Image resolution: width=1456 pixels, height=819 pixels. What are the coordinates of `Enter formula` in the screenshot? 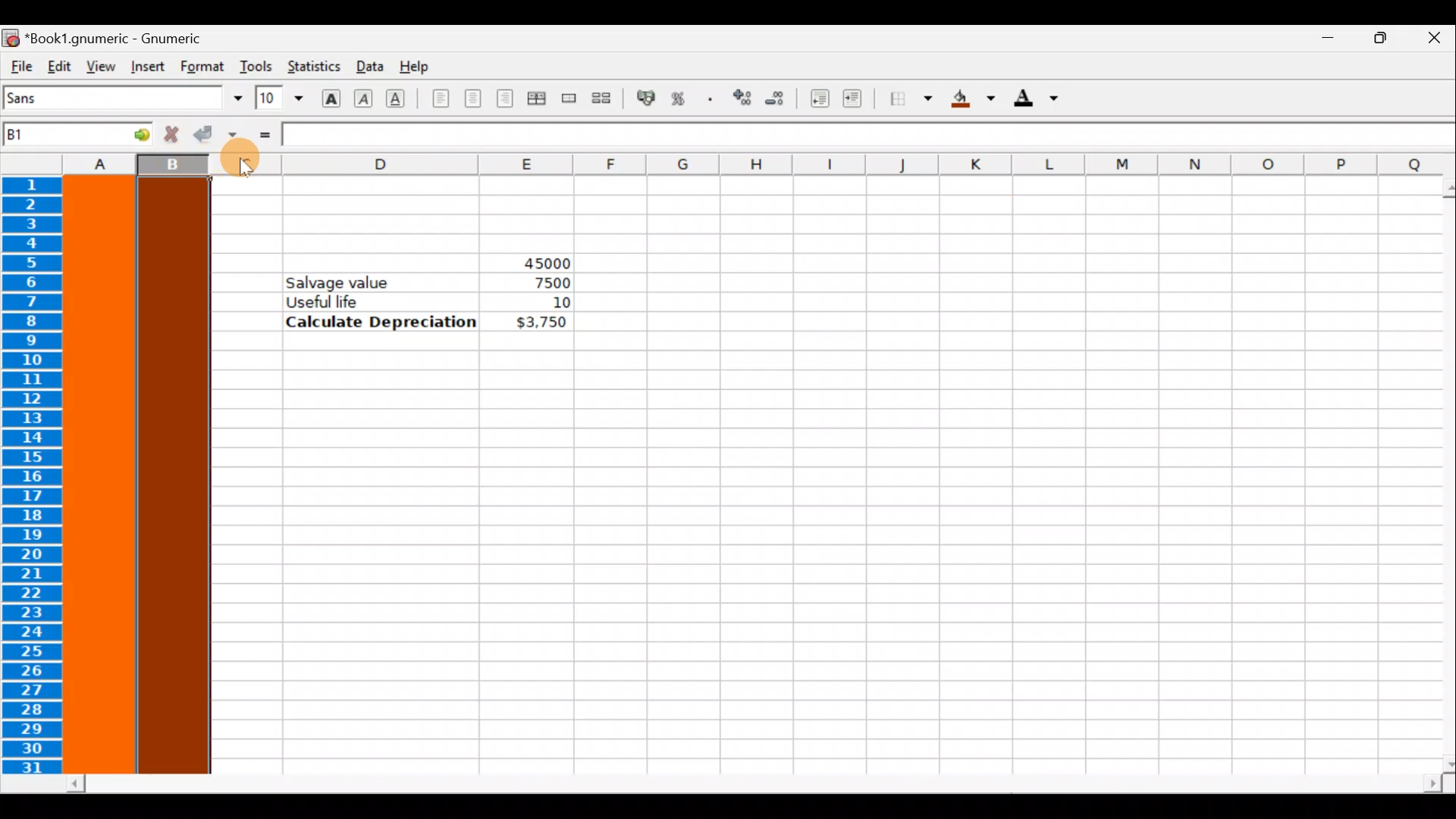 It's located at (264, 134).